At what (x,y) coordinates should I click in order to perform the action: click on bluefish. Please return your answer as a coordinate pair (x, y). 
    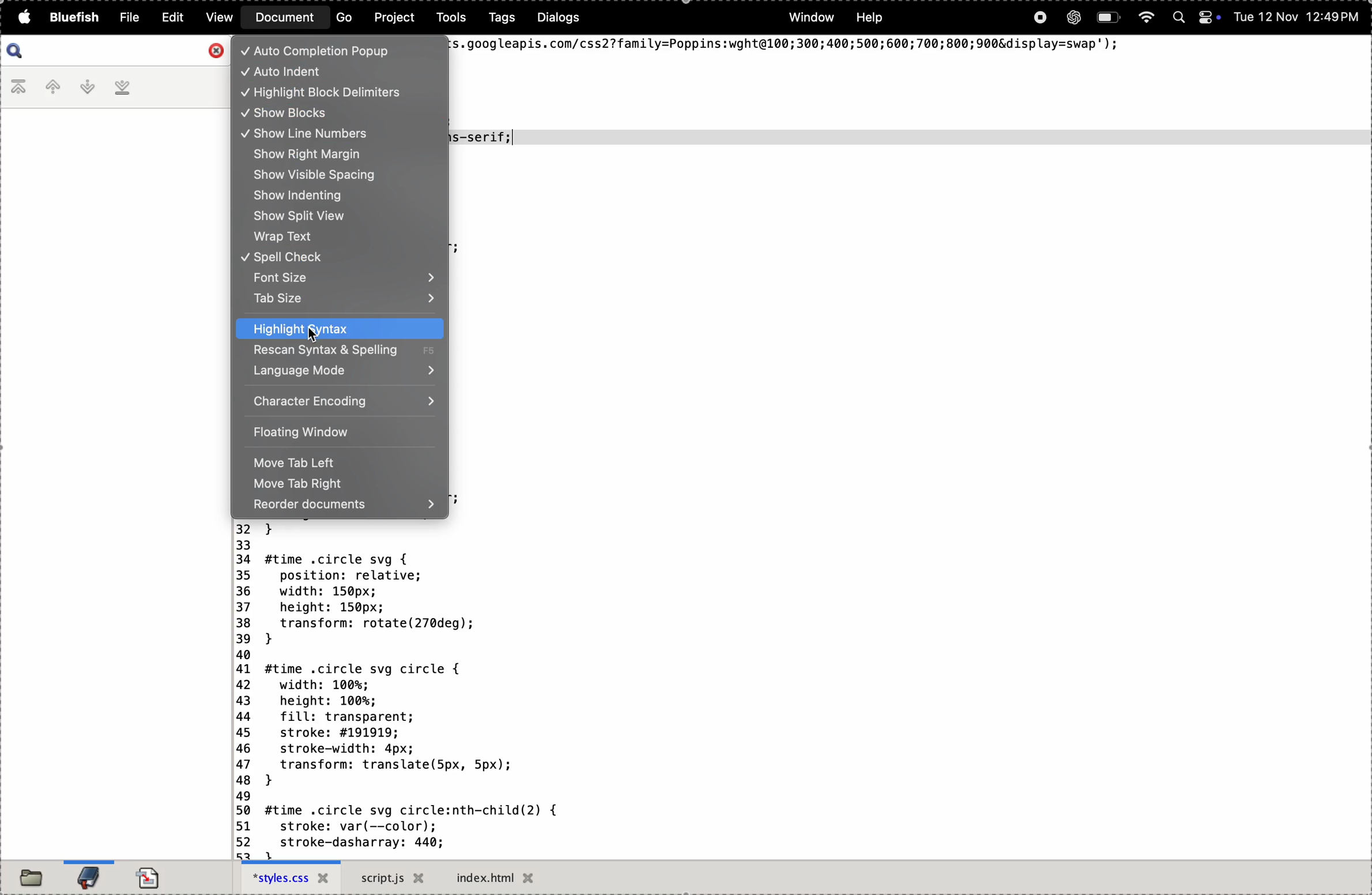
    Looking at the image, I should click on (72, 18).